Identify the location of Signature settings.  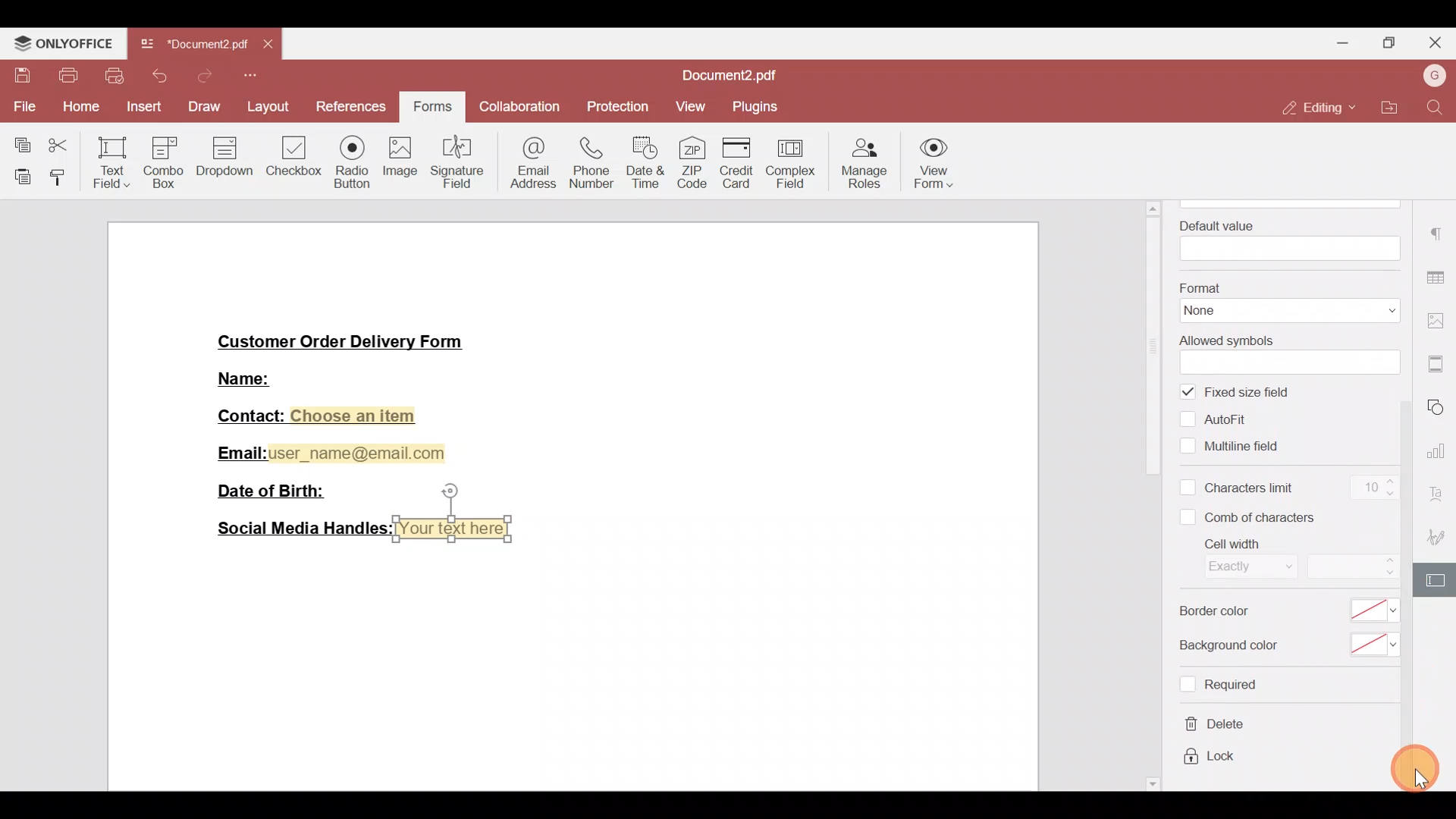
(1441, 536).